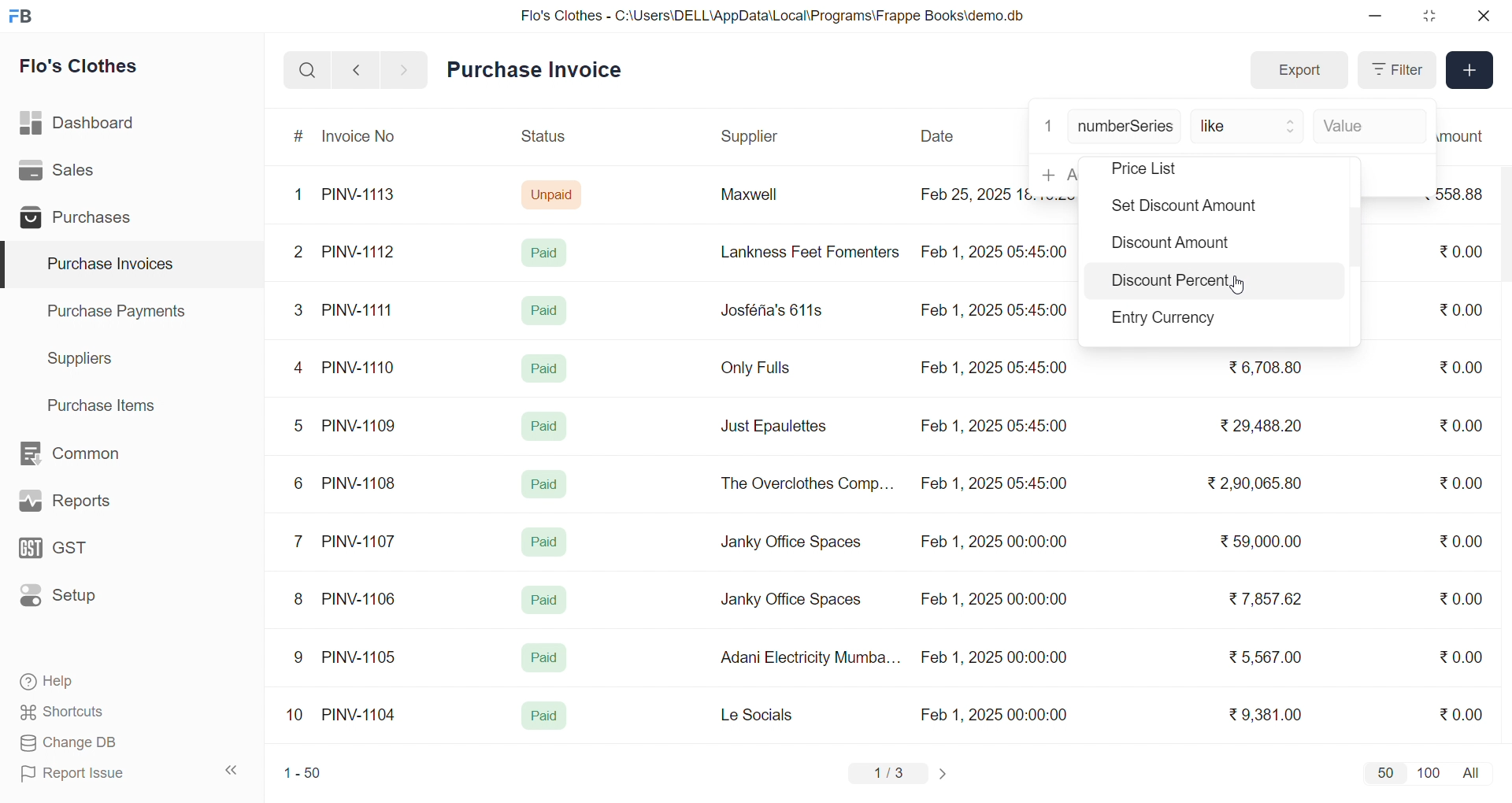 This screenshot has height=803, width=1512. Describe the element at coordinates (1461, 713) in the screenshot. I see `₹0.00` at that location.